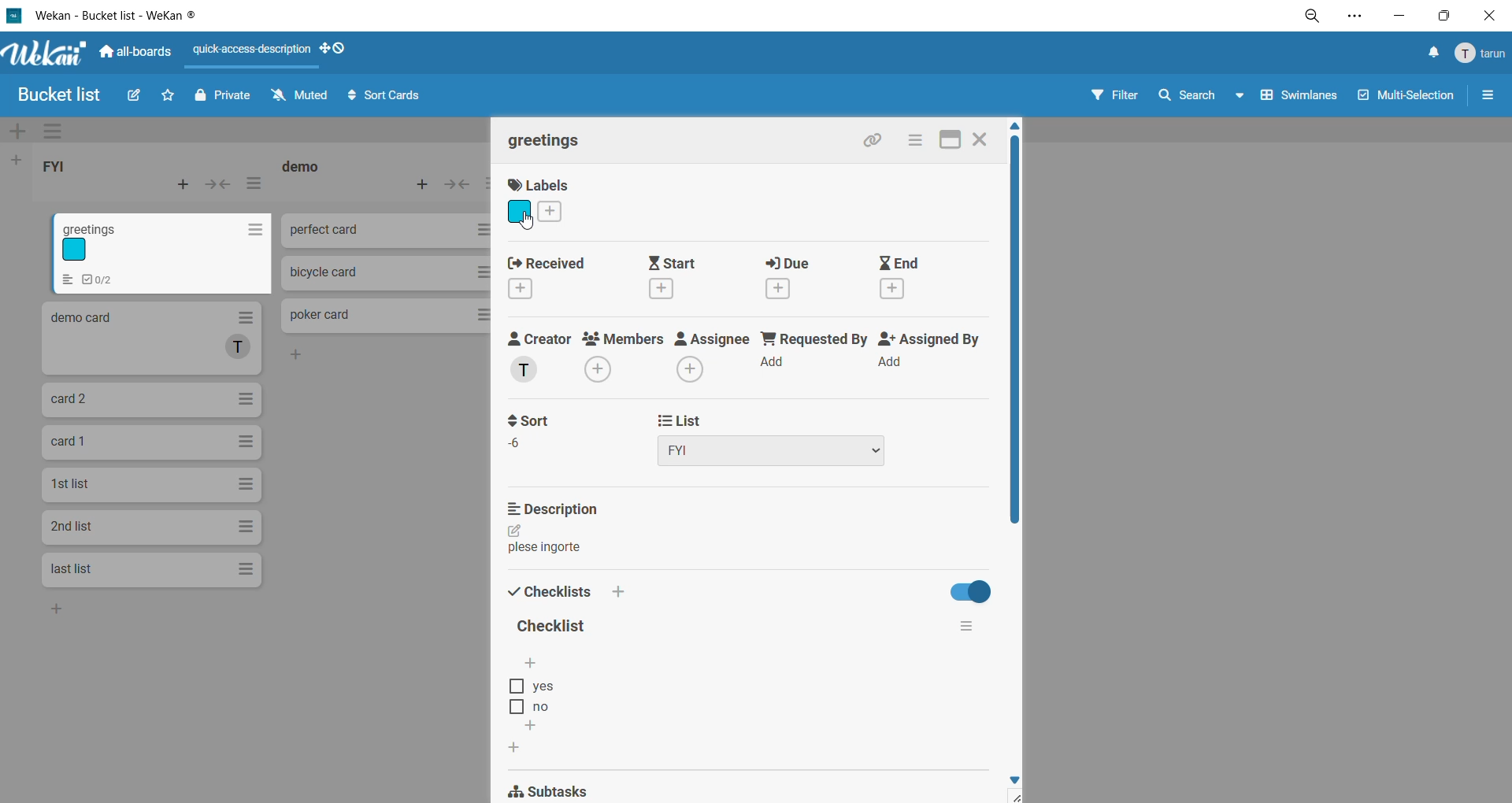 The image size is (1512, 803). Describe the element at coordinates (254, 49) in the screenshot. I see `quick access description` at that location.